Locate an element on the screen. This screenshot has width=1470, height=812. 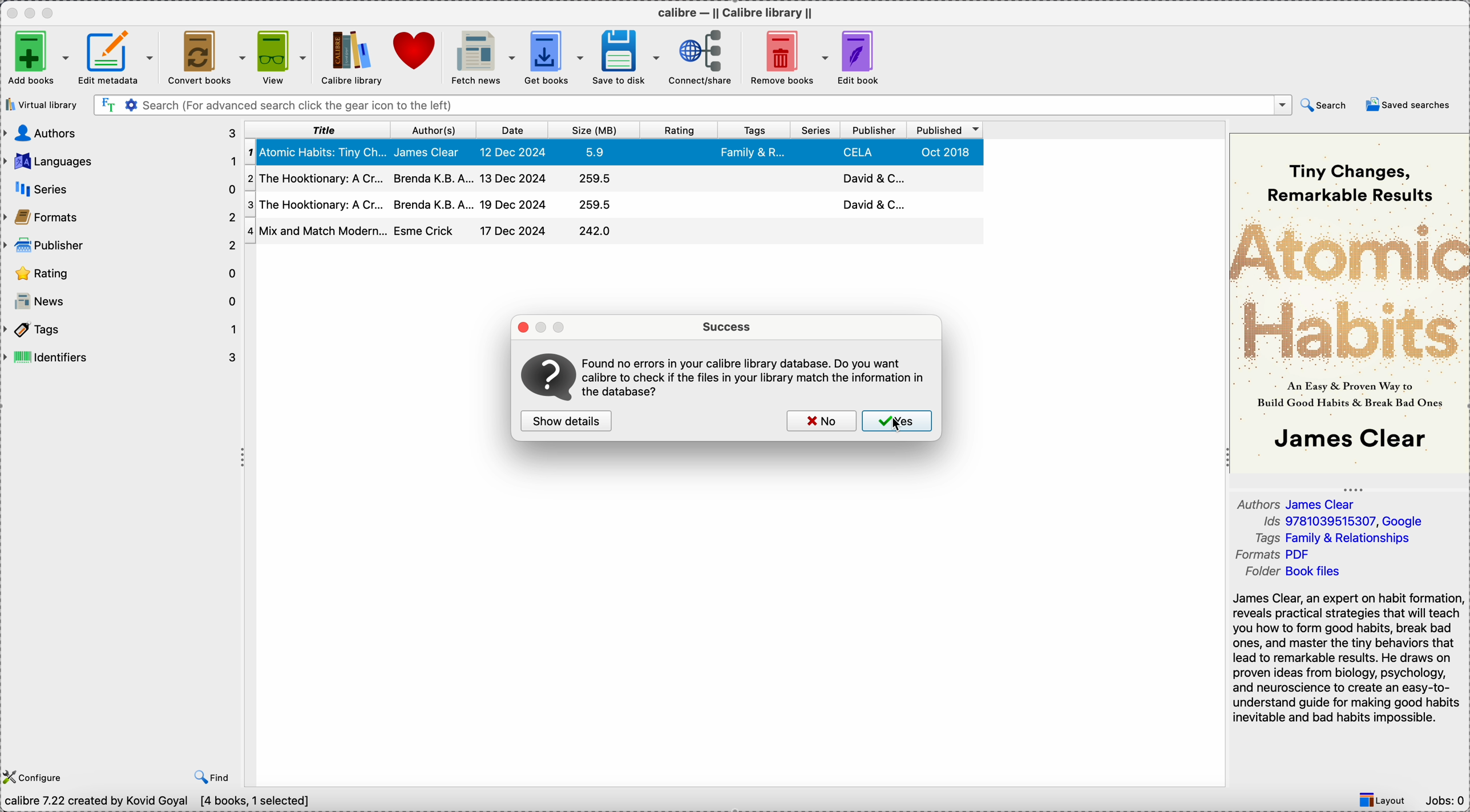
hide is located at coordinates (244, 462).